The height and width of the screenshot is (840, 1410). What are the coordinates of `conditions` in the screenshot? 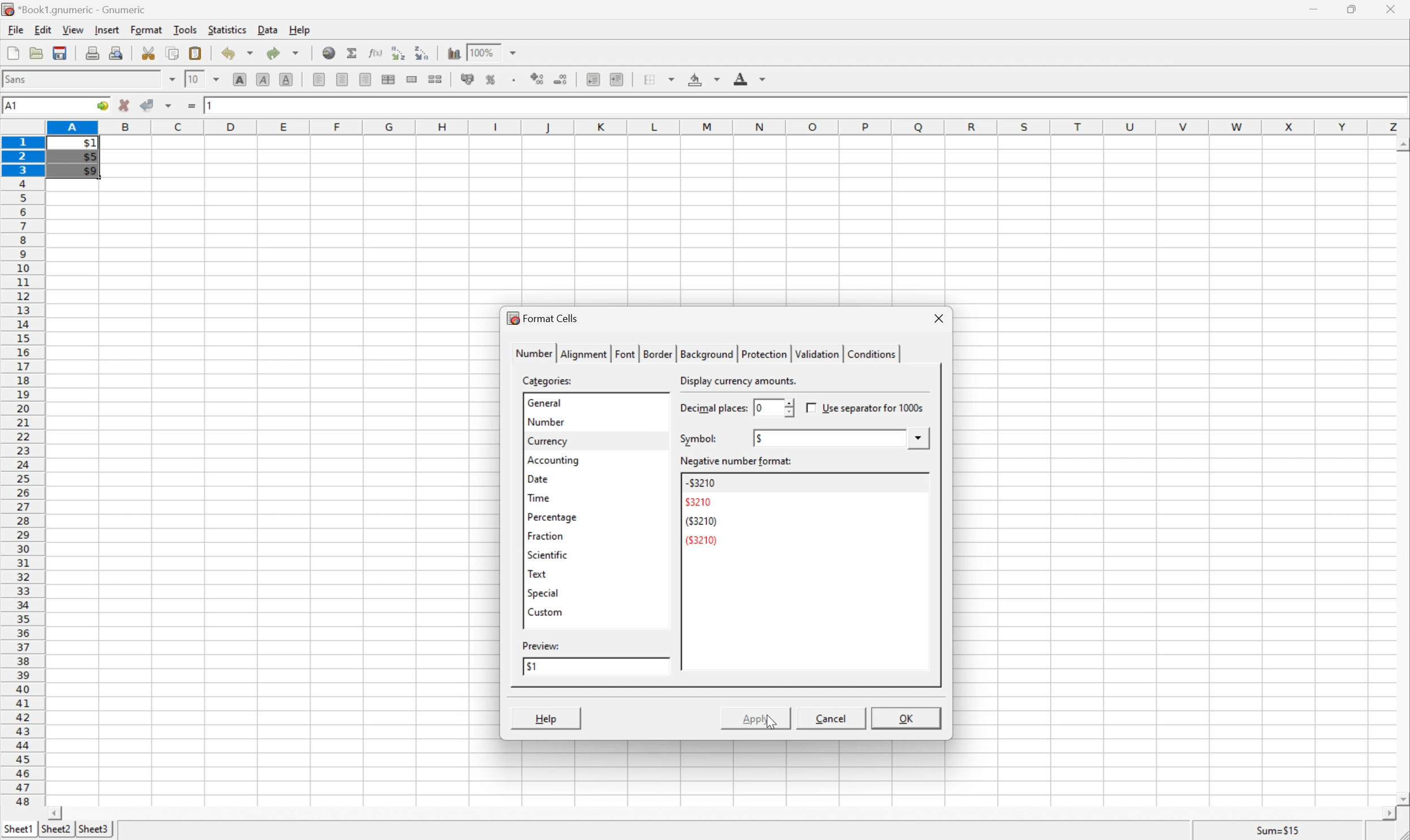 It's located at (869, 353).